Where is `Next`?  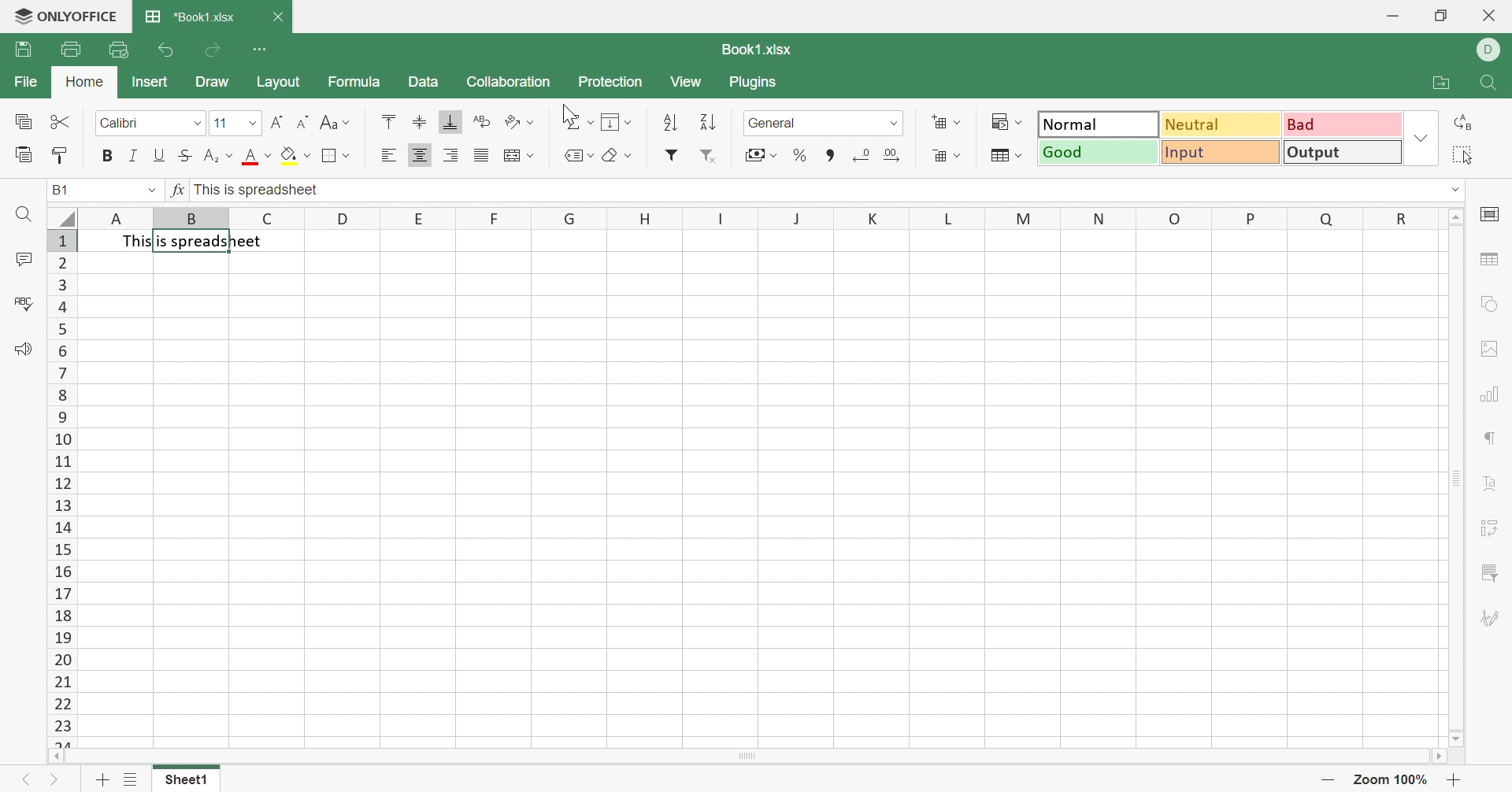 Next is located at coordinates (54, 779).